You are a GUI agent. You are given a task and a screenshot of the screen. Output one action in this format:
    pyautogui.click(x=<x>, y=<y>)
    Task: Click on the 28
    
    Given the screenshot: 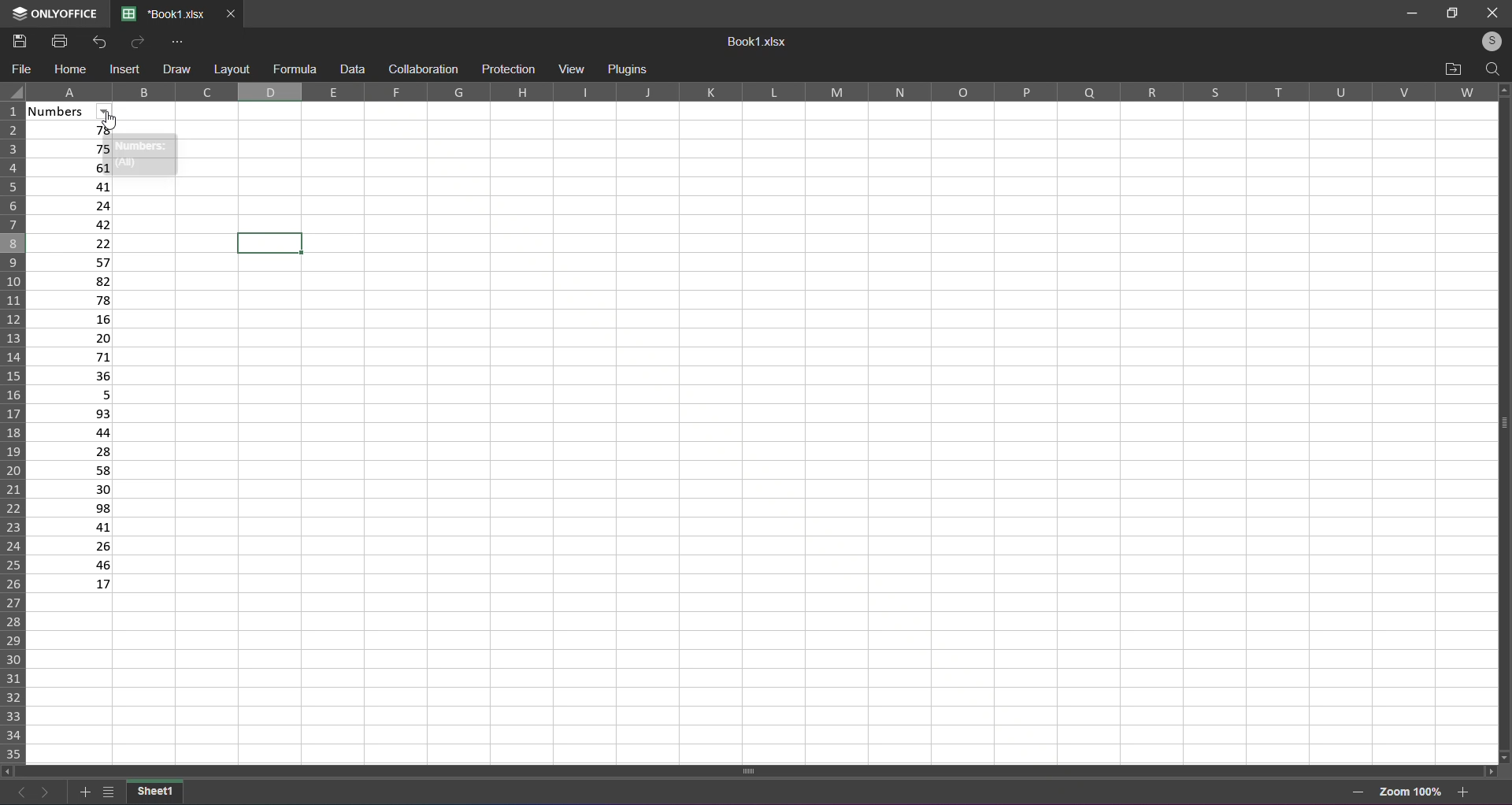 What is the action you would take?
    pyautogui.click(x=72, y=451)
    